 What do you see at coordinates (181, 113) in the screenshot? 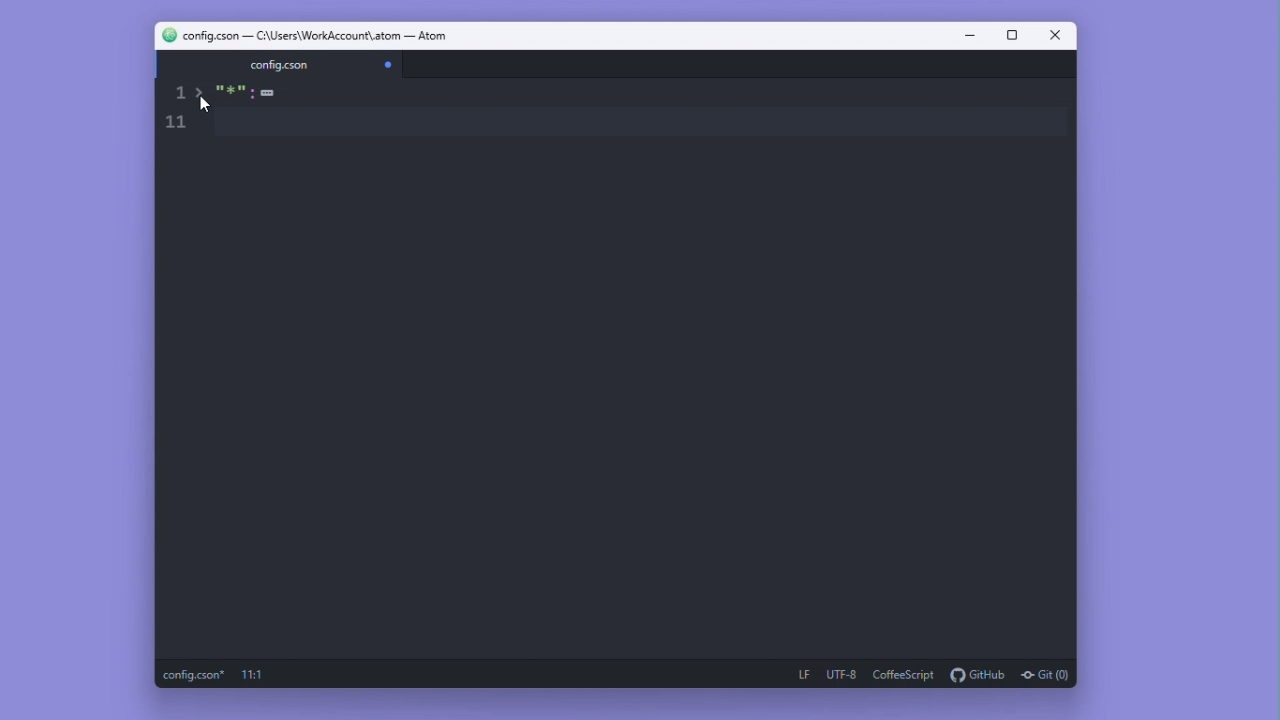
I see `scale` at bounding box center [181, 113].